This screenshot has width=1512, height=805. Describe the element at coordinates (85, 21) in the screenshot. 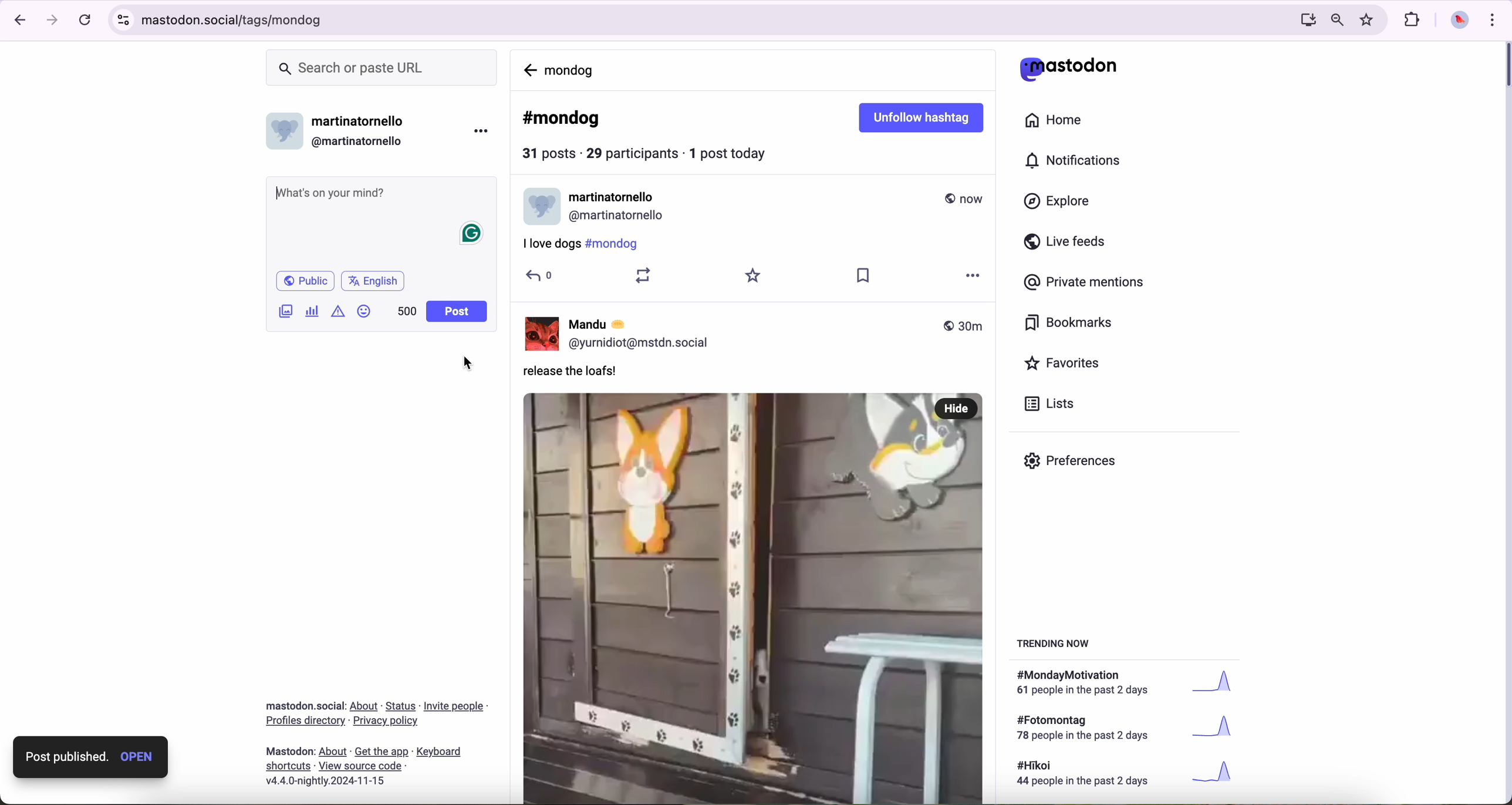

I see `refresh the page` at that location.